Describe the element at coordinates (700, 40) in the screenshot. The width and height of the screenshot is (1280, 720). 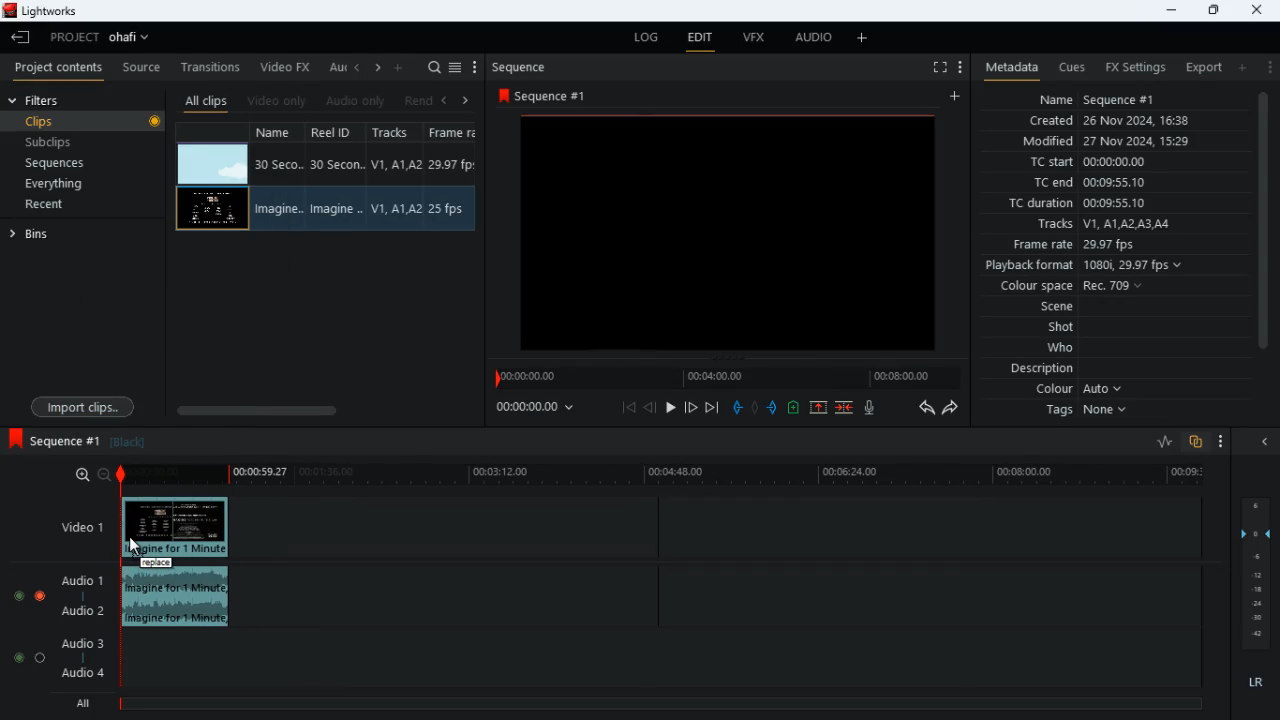
I see `edit` at that location.